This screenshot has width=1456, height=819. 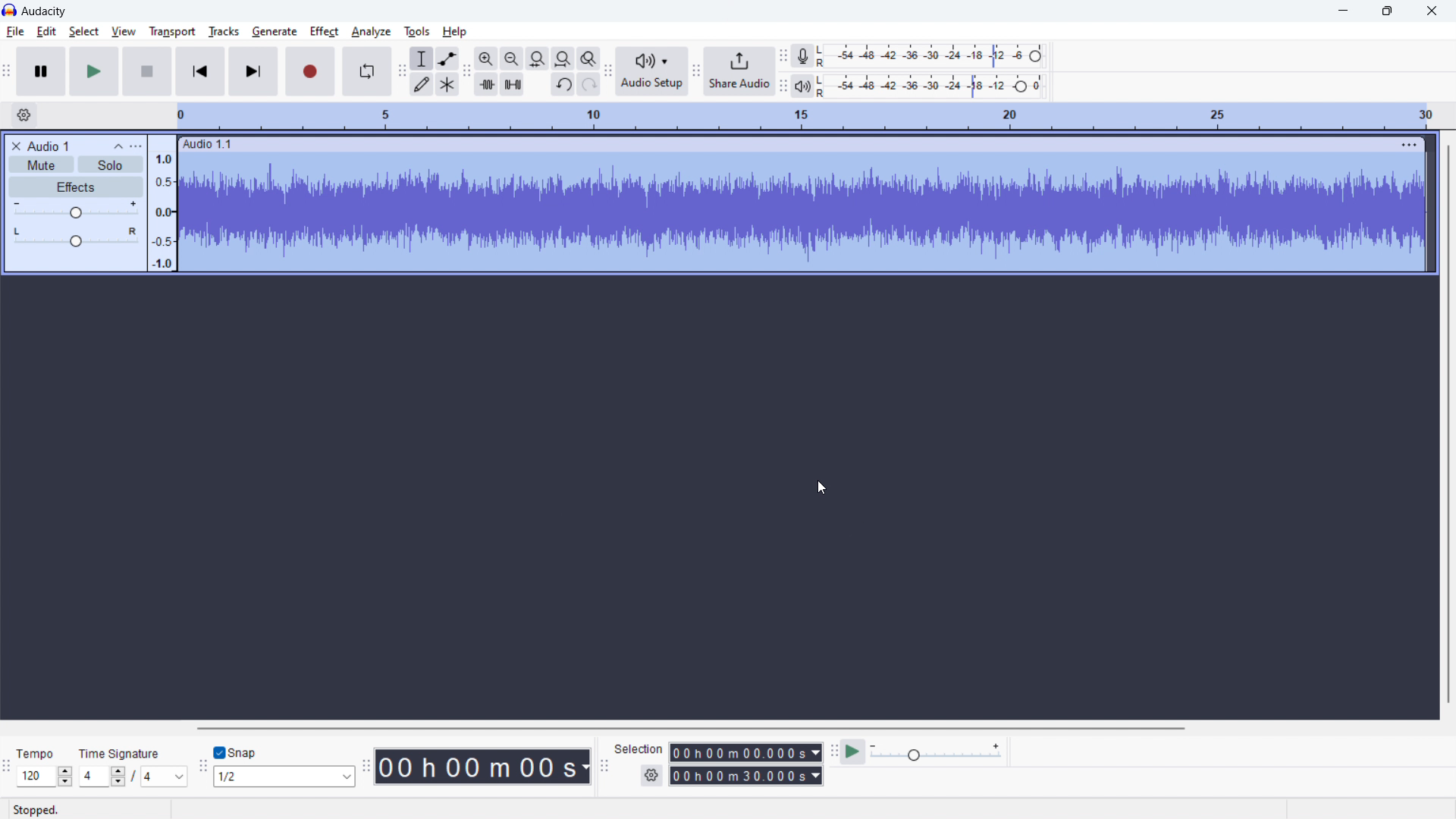 What do you see at coordinates (118, 147) in the screenshot?
I see `collapse` at bounding box center [118, 147].